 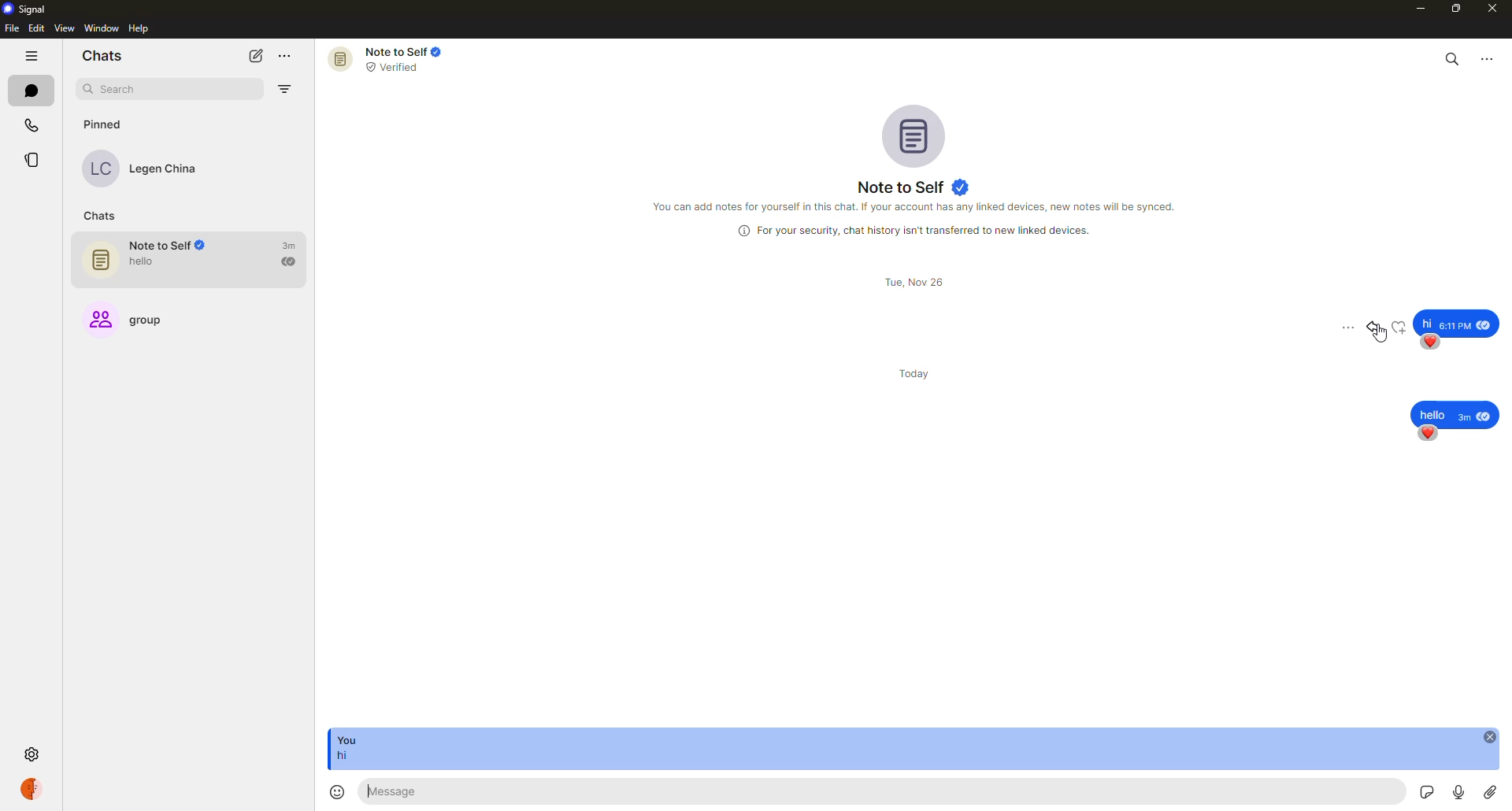 I want to click on message, so click(x=1457, y=321).